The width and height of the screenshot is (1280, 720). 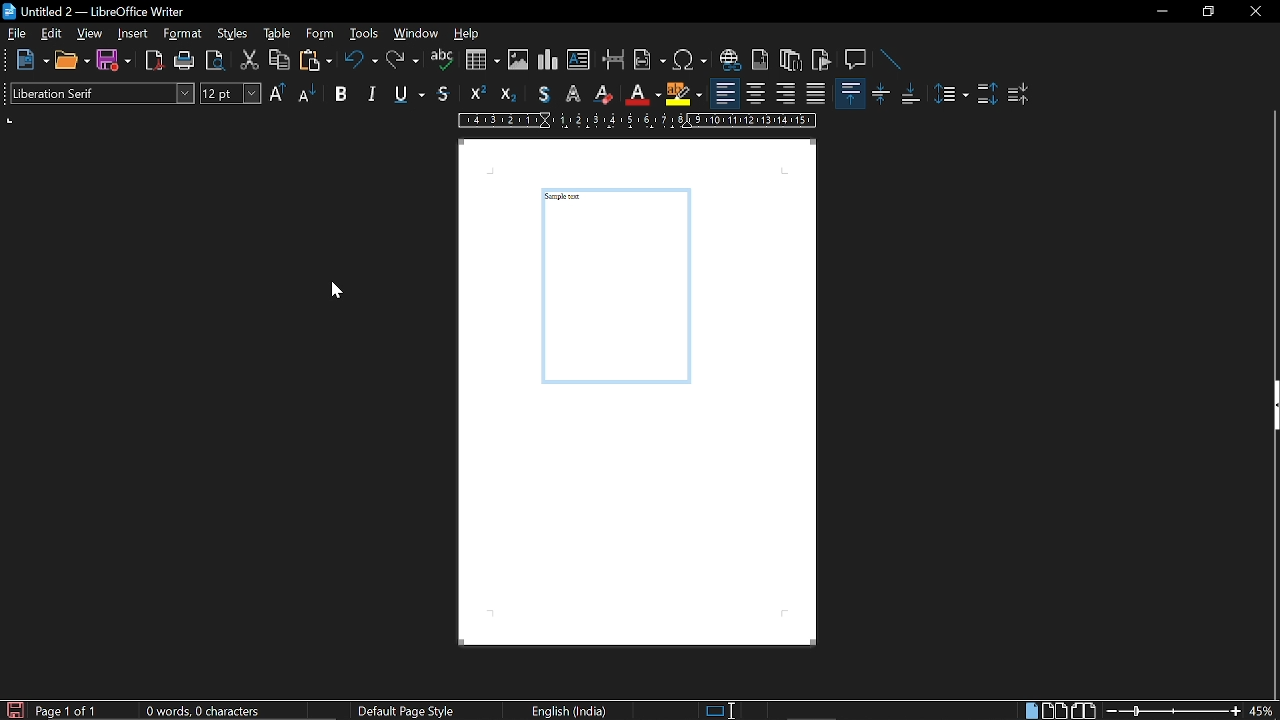 What do you see at coordinates (153, 60) in the screenshot?
I see `export as pdf` at bounding box center [153, 60].